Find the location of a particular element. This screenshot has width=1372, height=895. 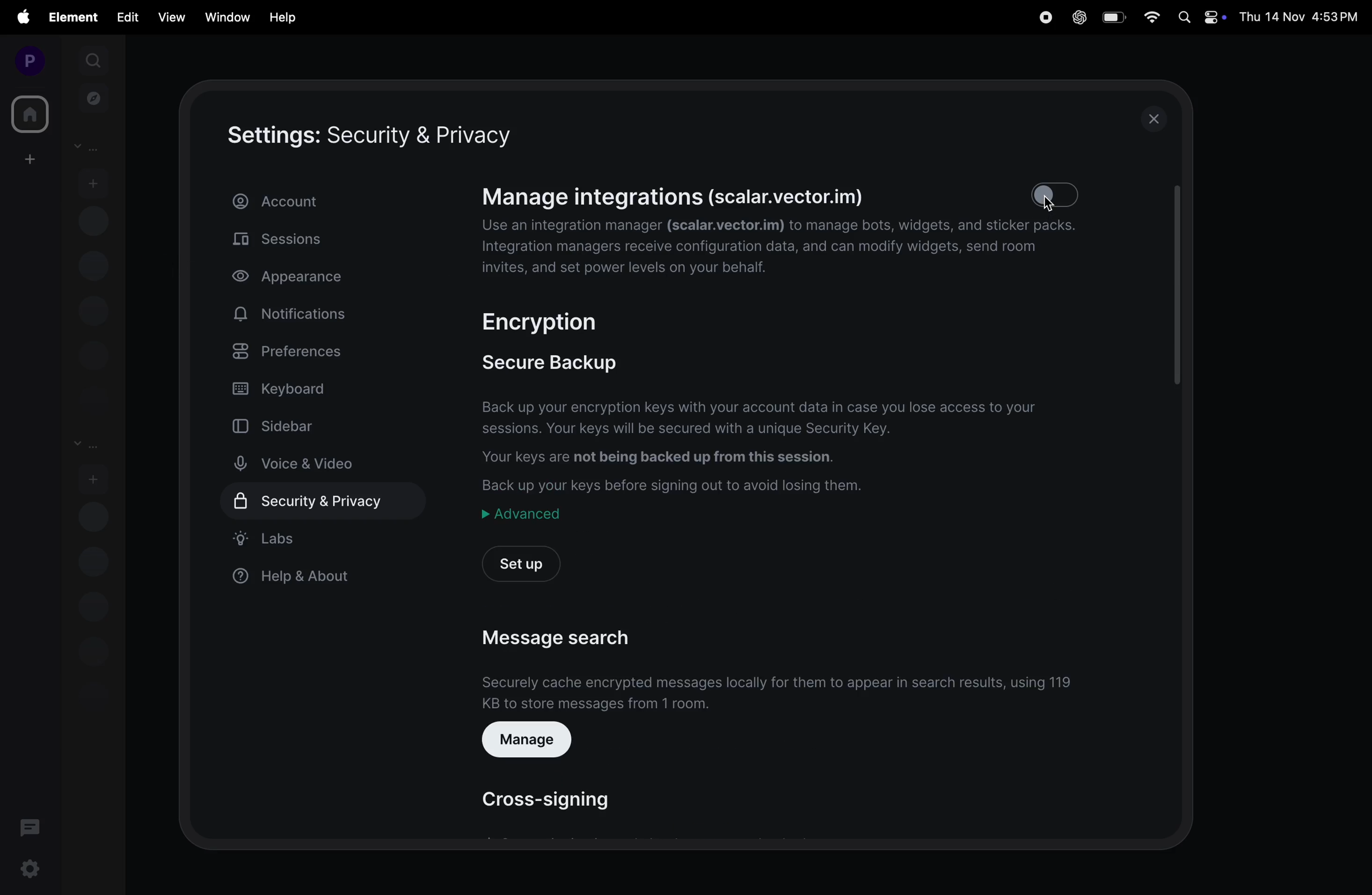

element is located at coordinates (71, 17).